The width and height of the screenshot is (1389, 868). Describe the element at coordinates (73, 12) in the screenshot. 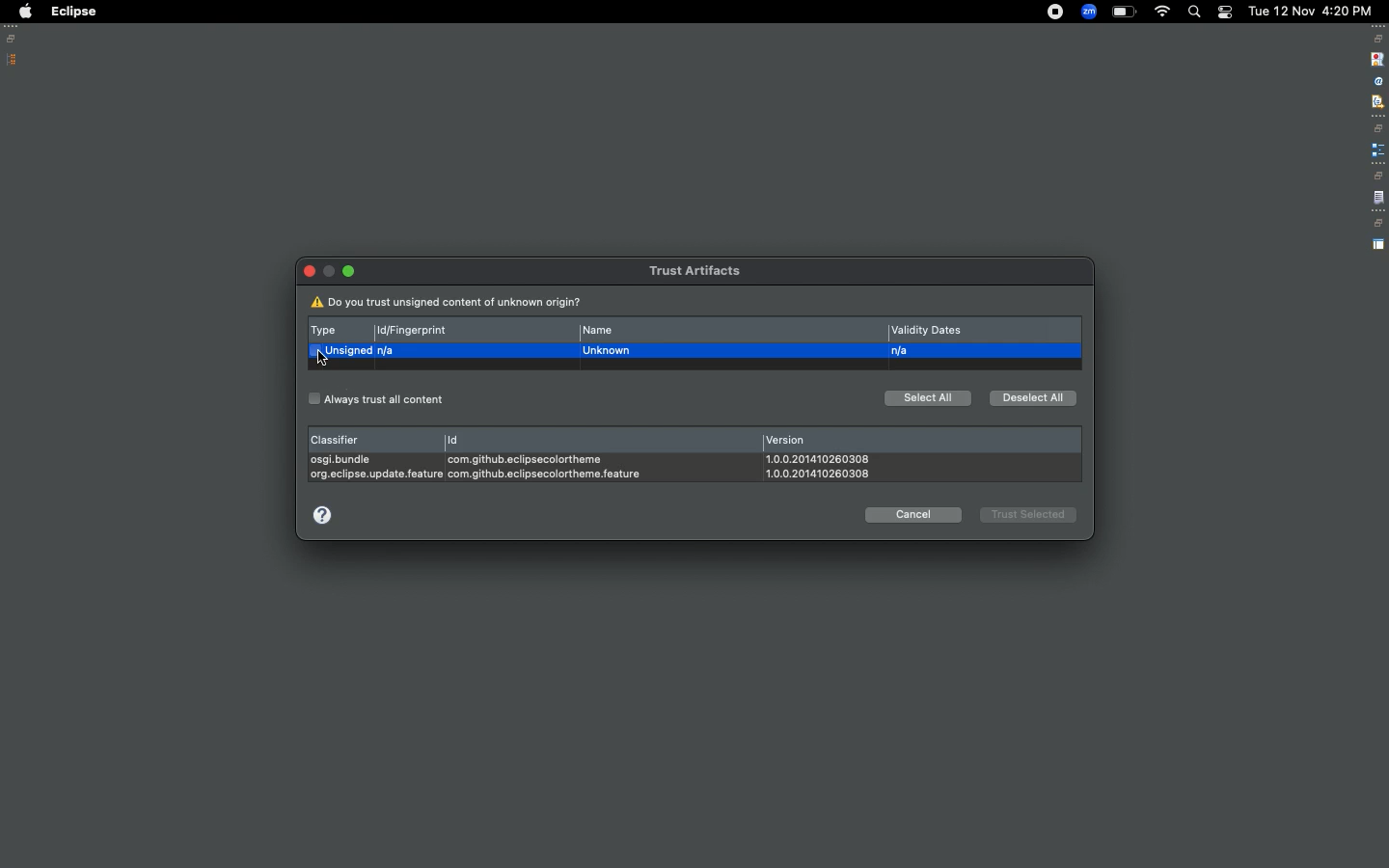

I see `Eclipse` at that location.